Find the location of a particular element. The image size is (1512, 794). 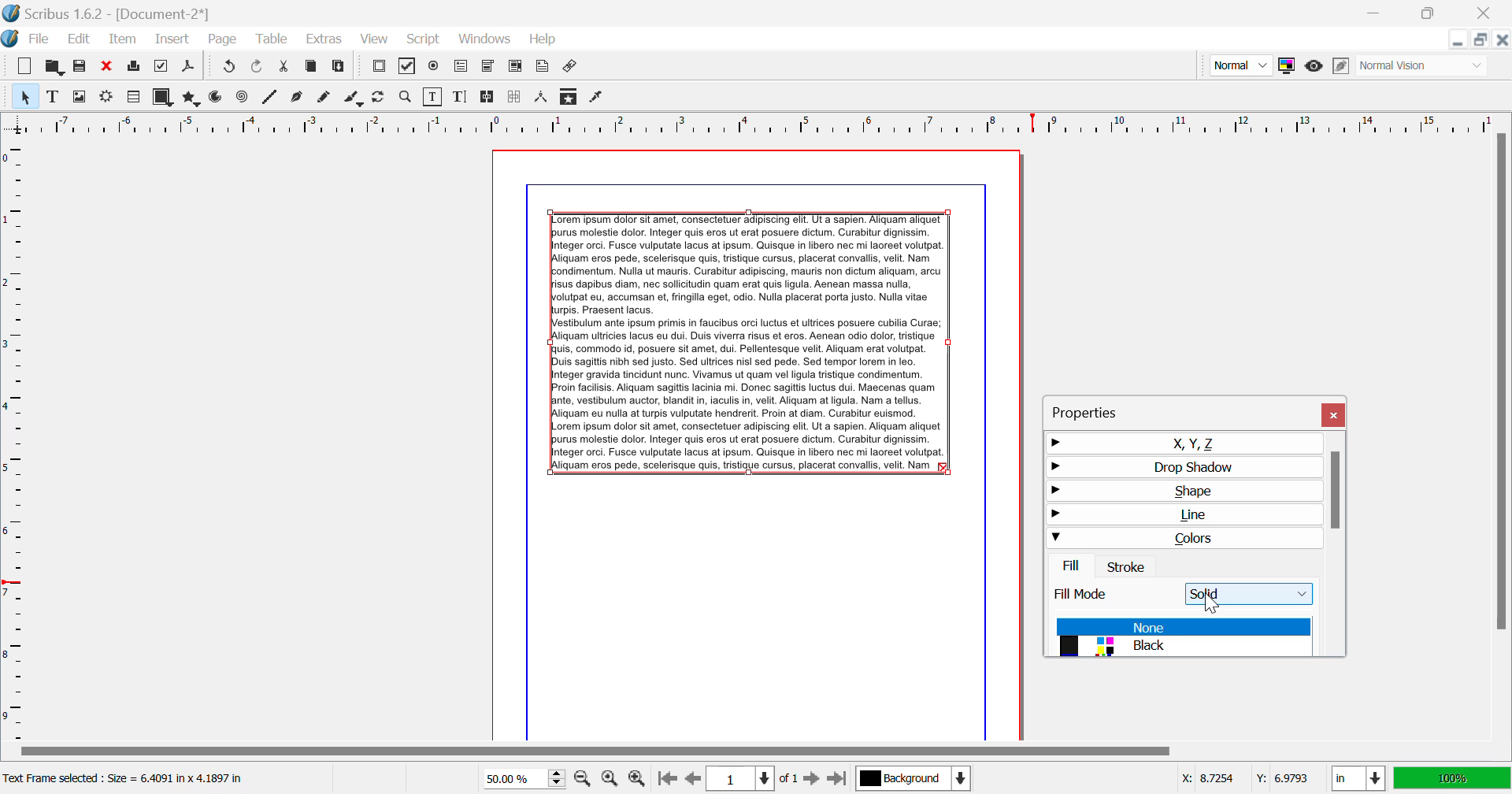

Help is located at coordinates (544, 39).